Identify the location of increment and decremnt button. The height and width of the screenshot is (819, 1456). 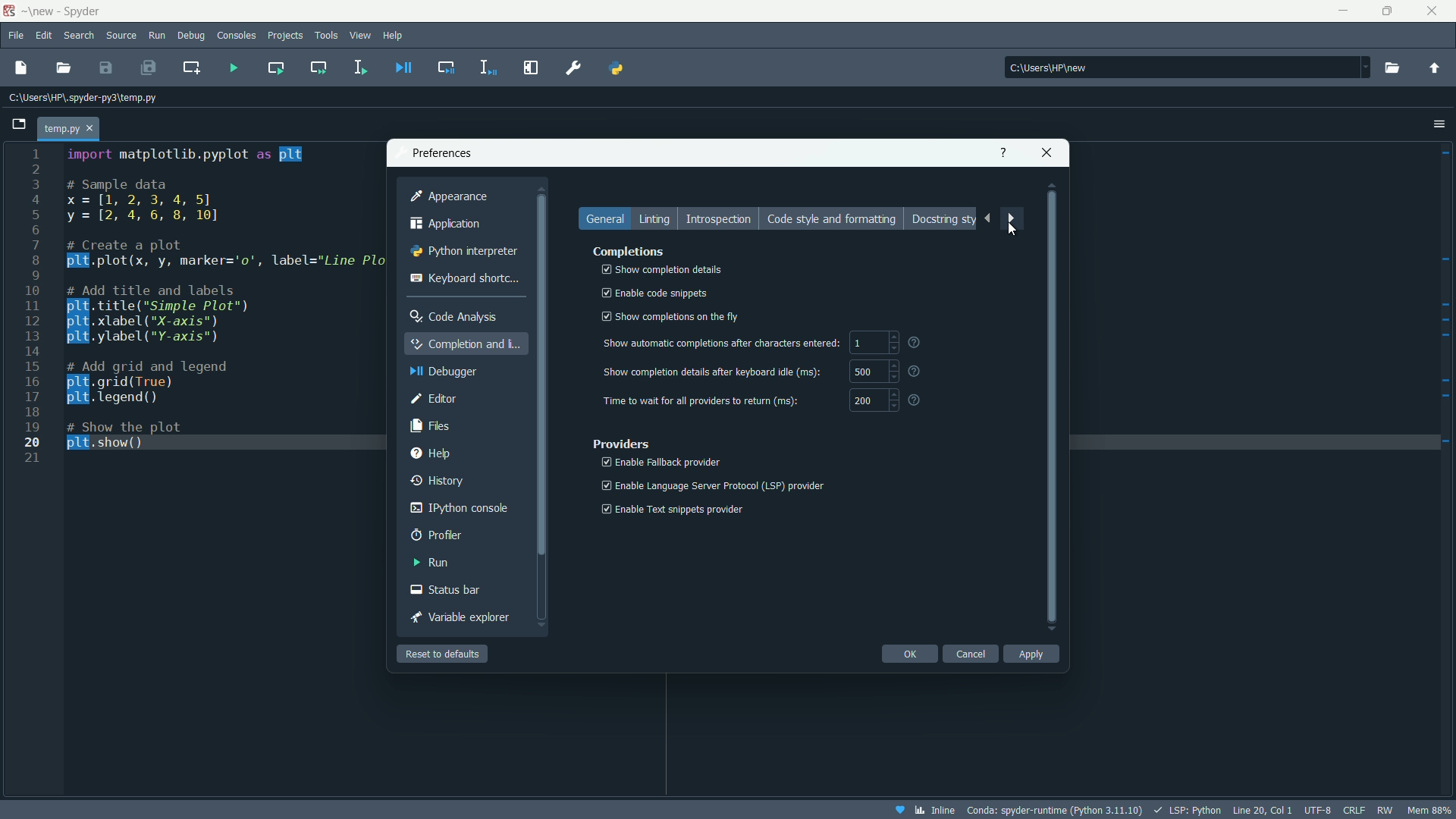
(894, 401).